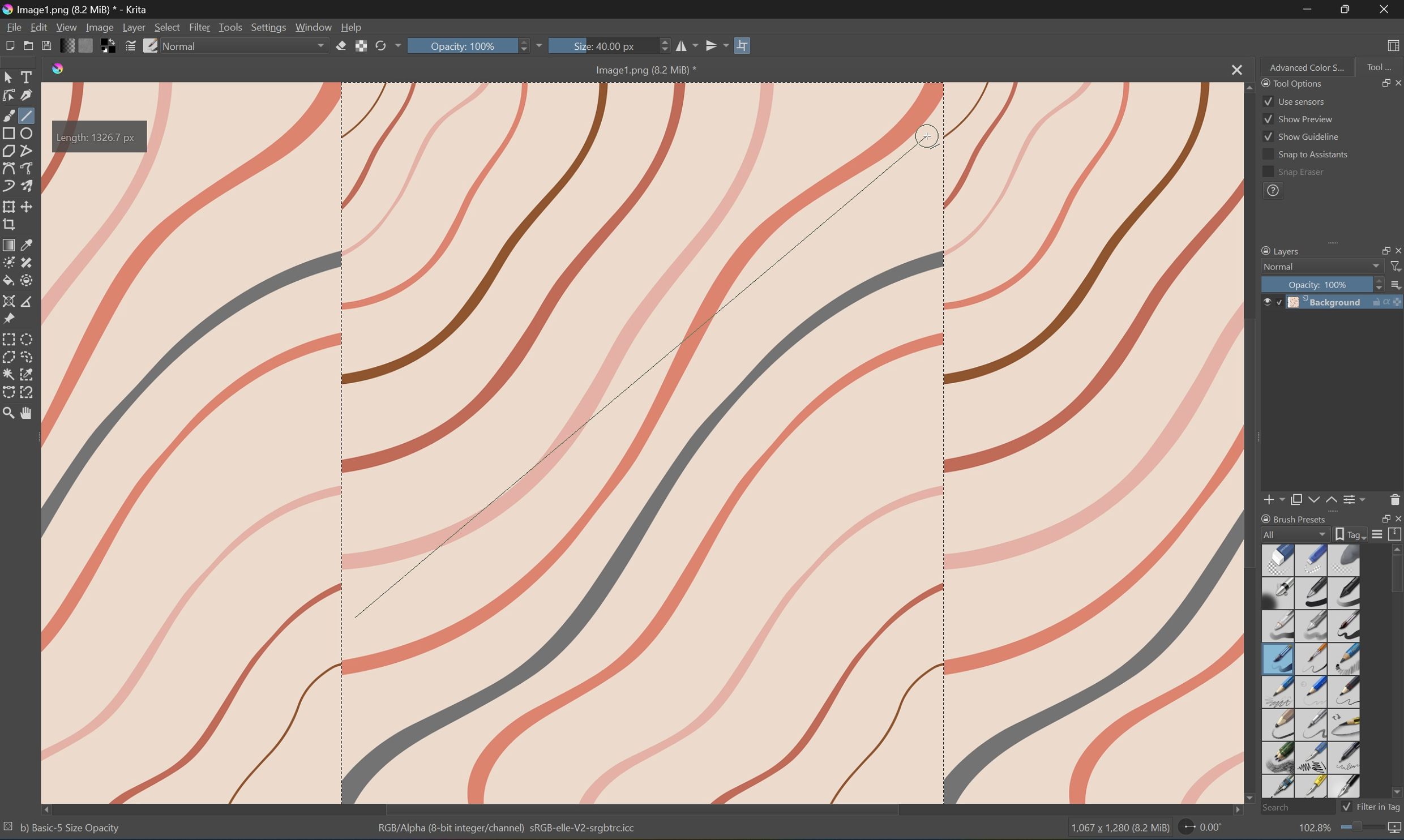 Image resolution: width=1404 pixels, height=840 pixels. I want to click on Slider, so click(1375, 284).